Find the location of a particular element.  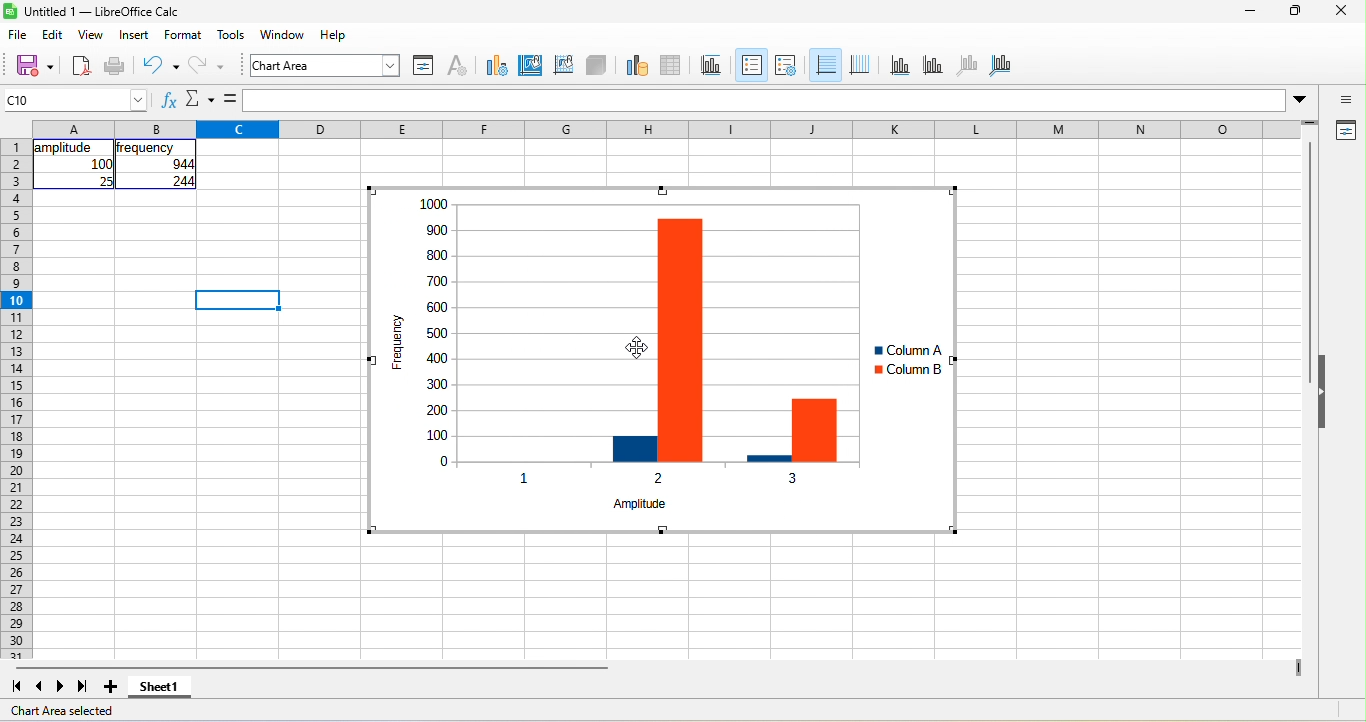

legend is located at coordinates (786, 66).